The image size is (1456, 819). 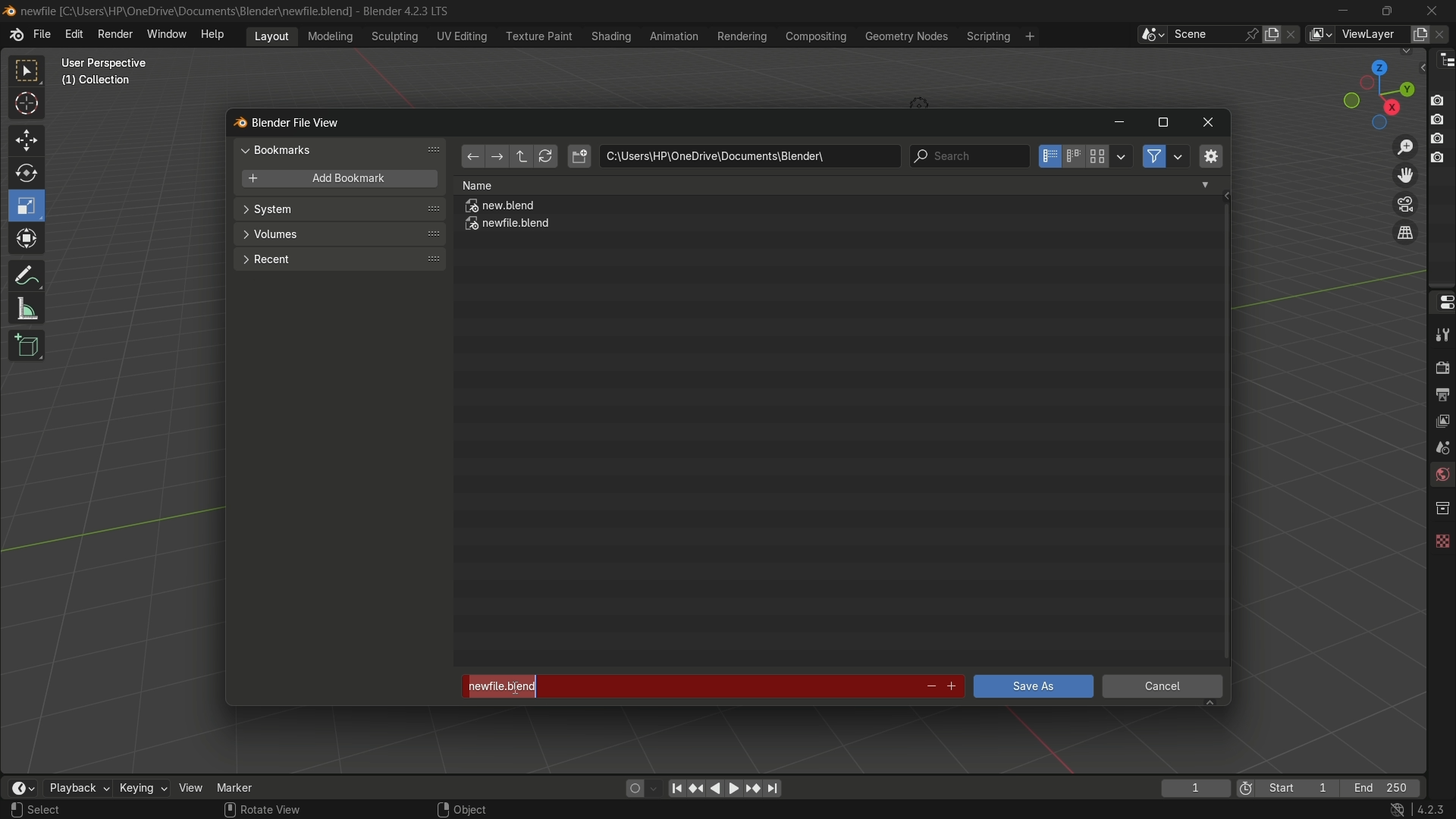 What do you see at coordinates (1404, 174) in the screenshot?
I see `move view layer` at bounding box center [1404, 174].